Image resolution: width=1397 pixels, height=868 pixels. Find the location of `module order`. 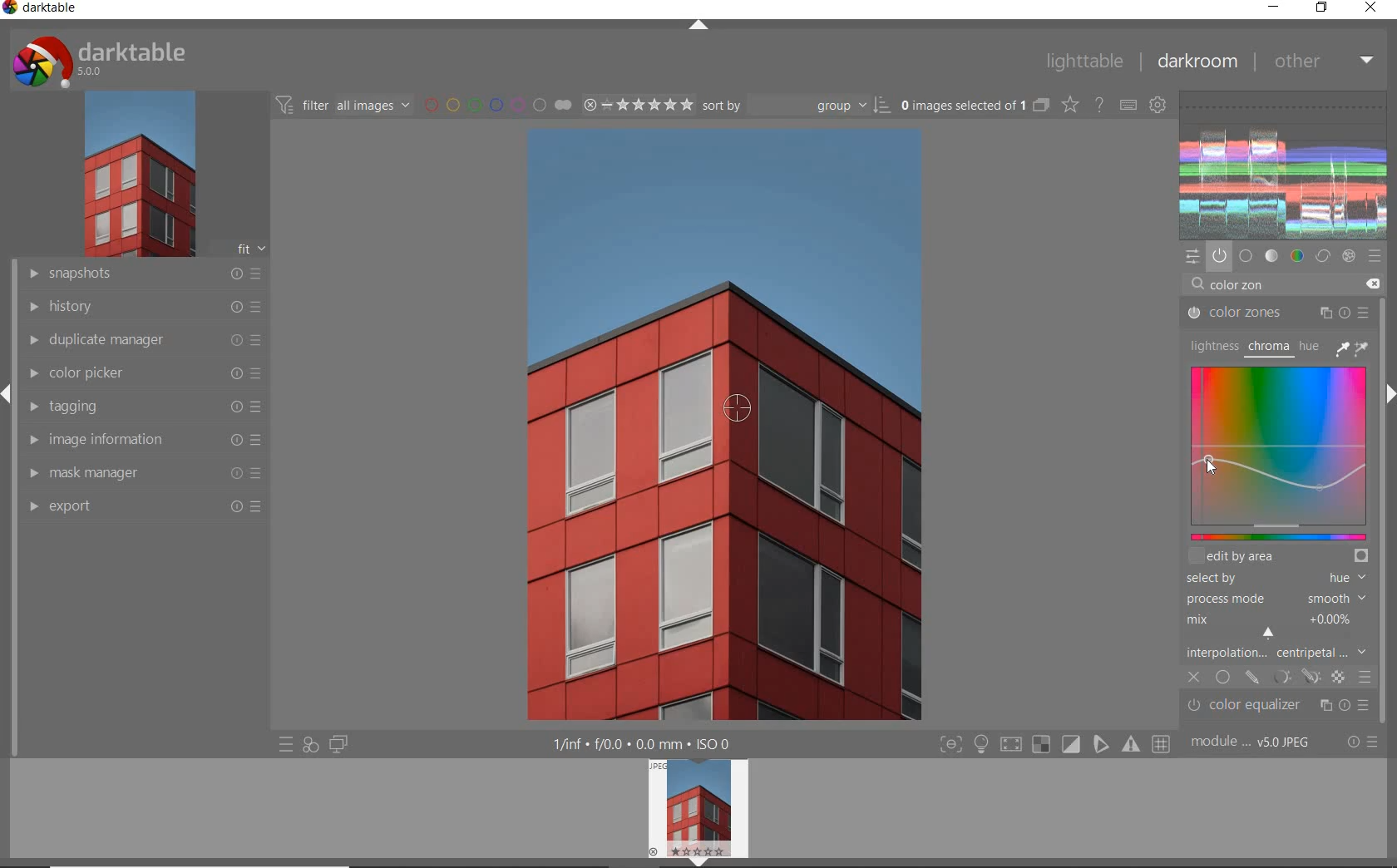

module order is located at coordinates (1255, 743).